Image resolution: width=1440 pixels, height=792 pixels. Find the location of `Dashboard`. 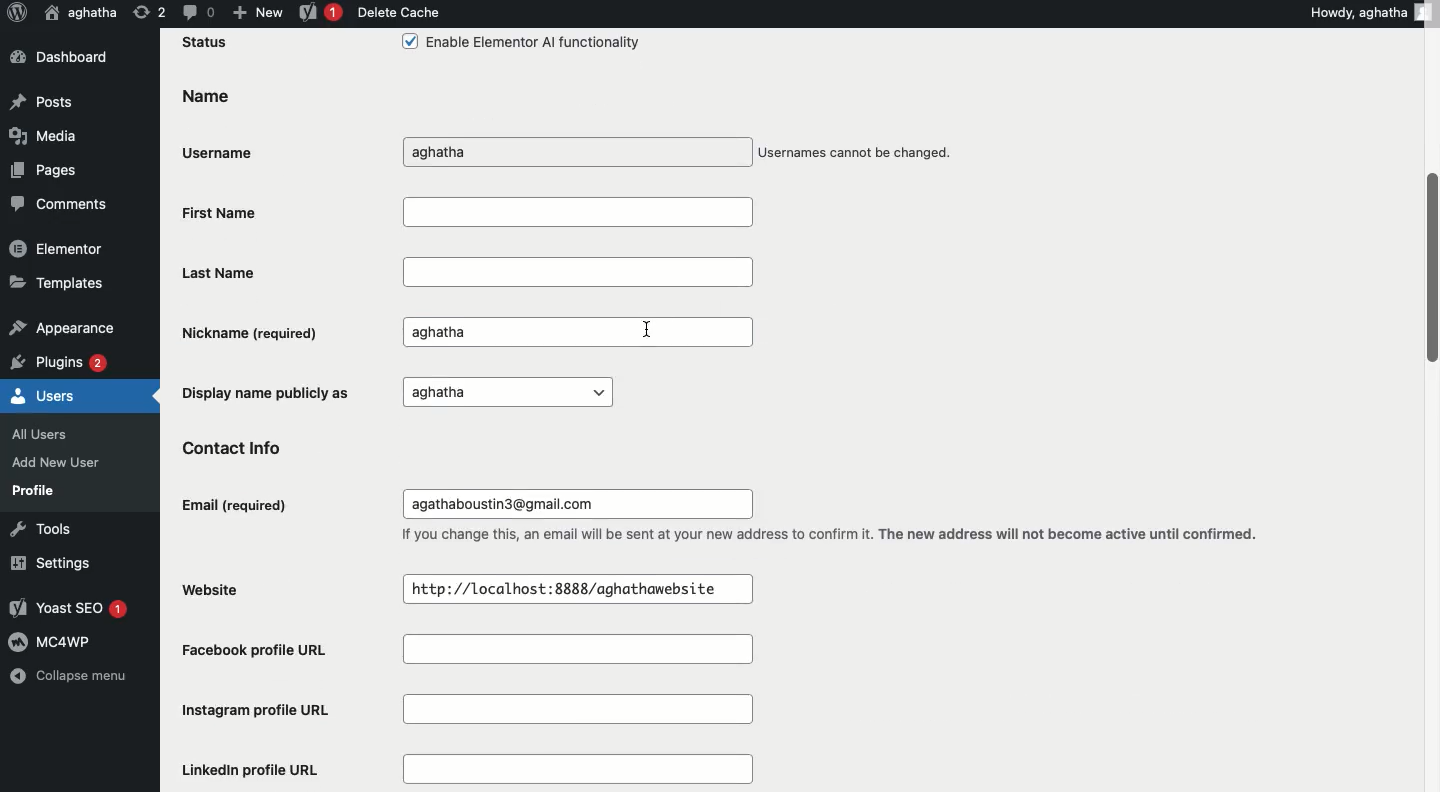

Dashboard is located at coordinates (68, 58).